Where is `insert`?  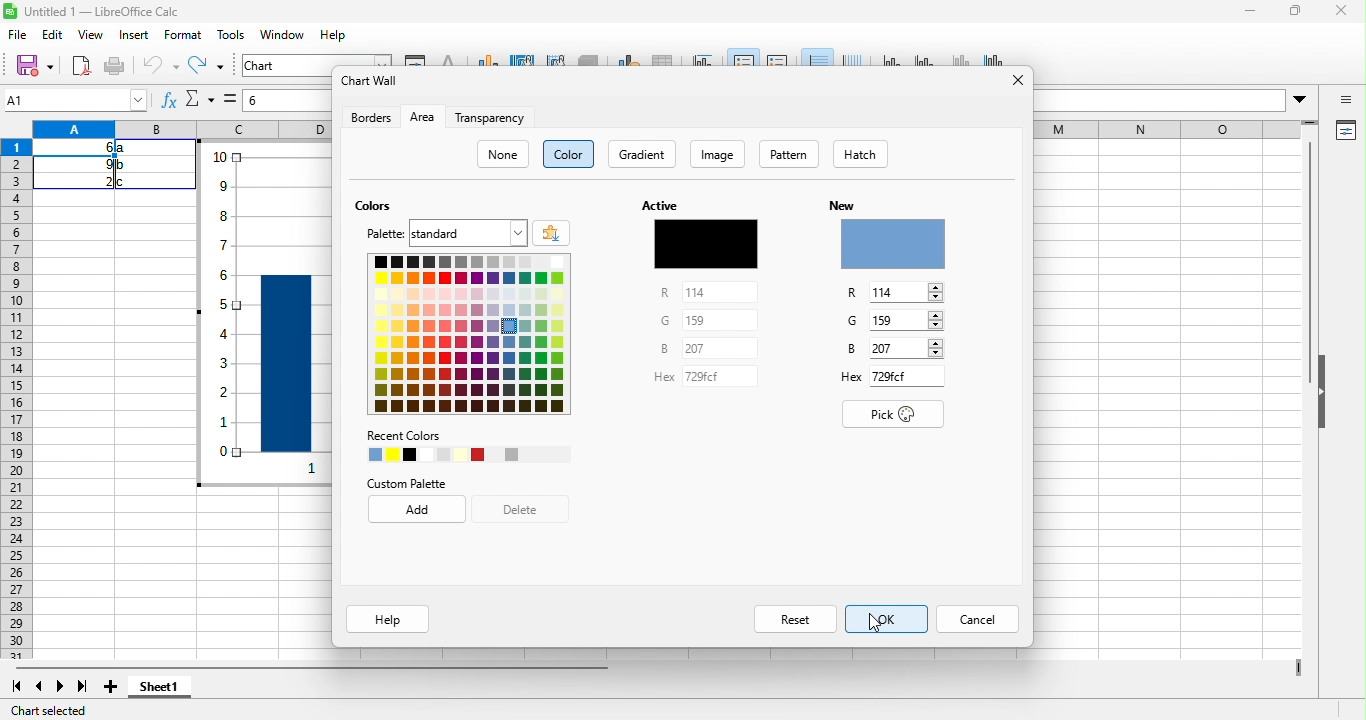
insert is located at coordinates (135, 35).